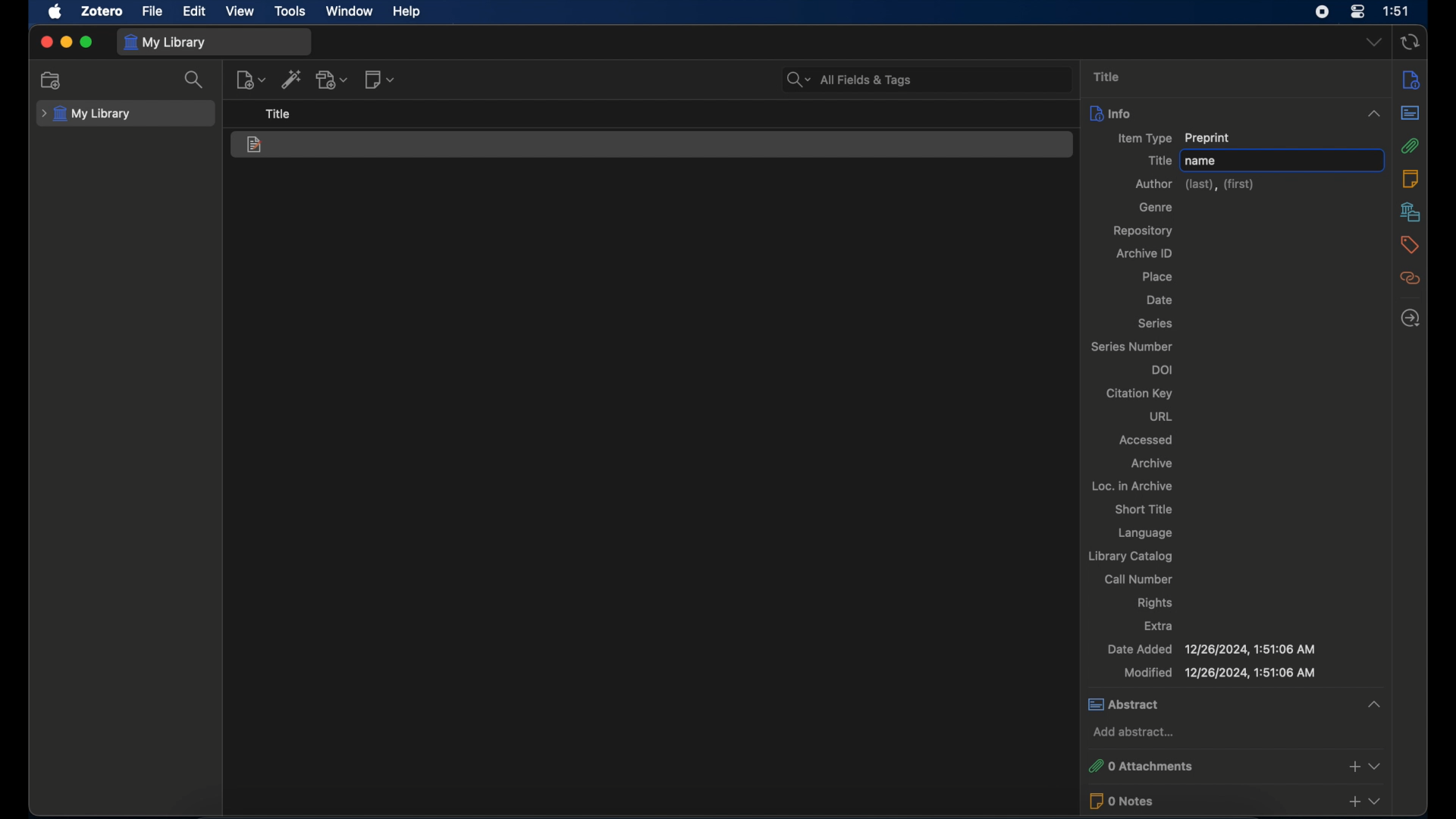  What do you see at coordinates (1410, 278) in the screenshot?
I see `related` at bounding box center [1410, 278].